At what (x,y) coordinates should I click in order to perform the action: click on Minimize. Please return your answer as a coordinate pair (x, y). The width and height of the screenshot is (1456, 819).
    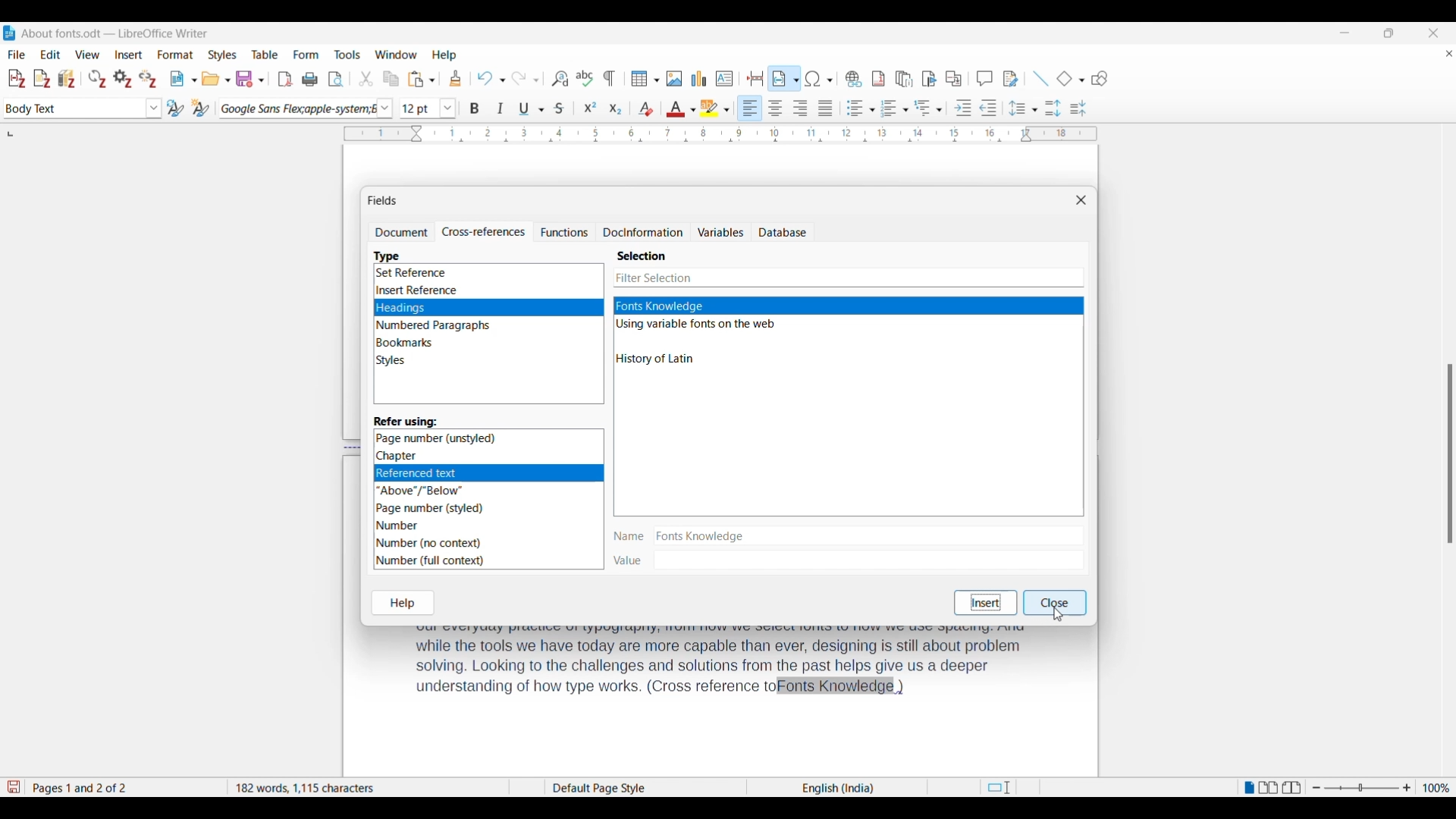
    Looking at the image, I should click on (1345, 33).